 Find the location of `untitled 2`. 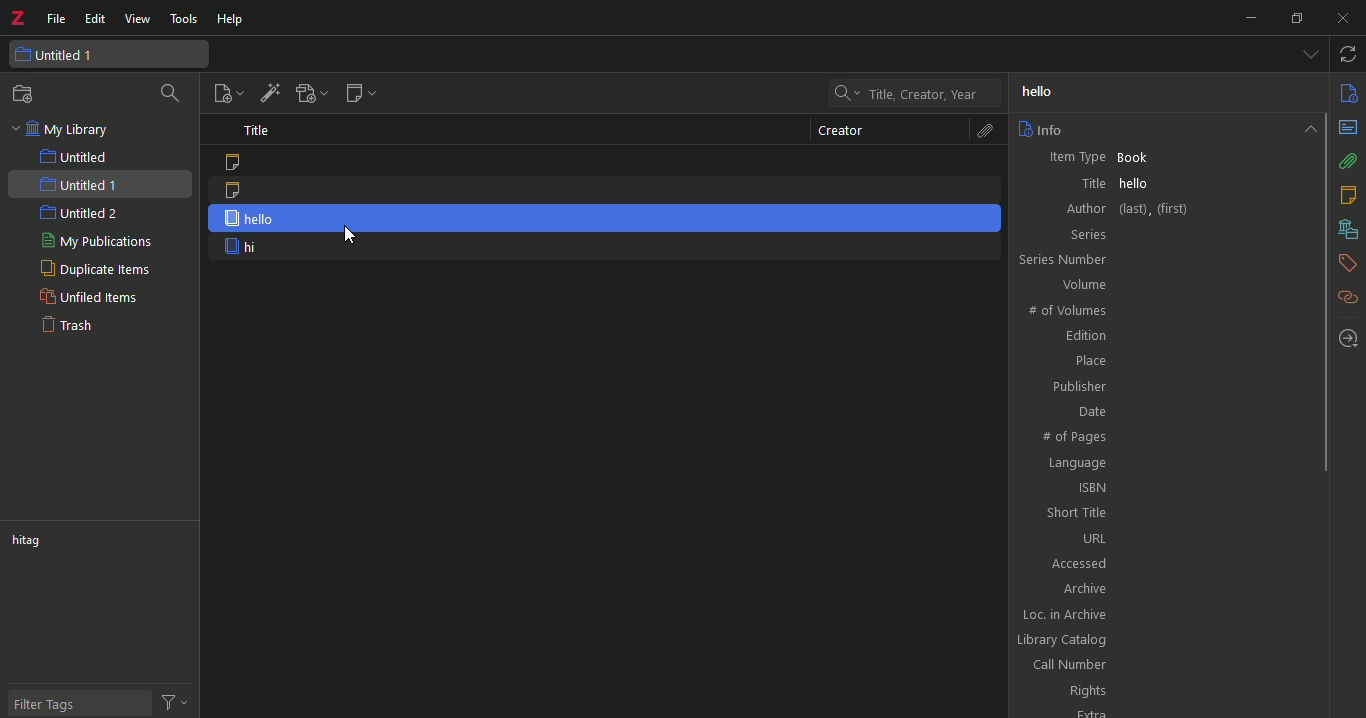

untitled 2 is located at coordinates (76, 213).